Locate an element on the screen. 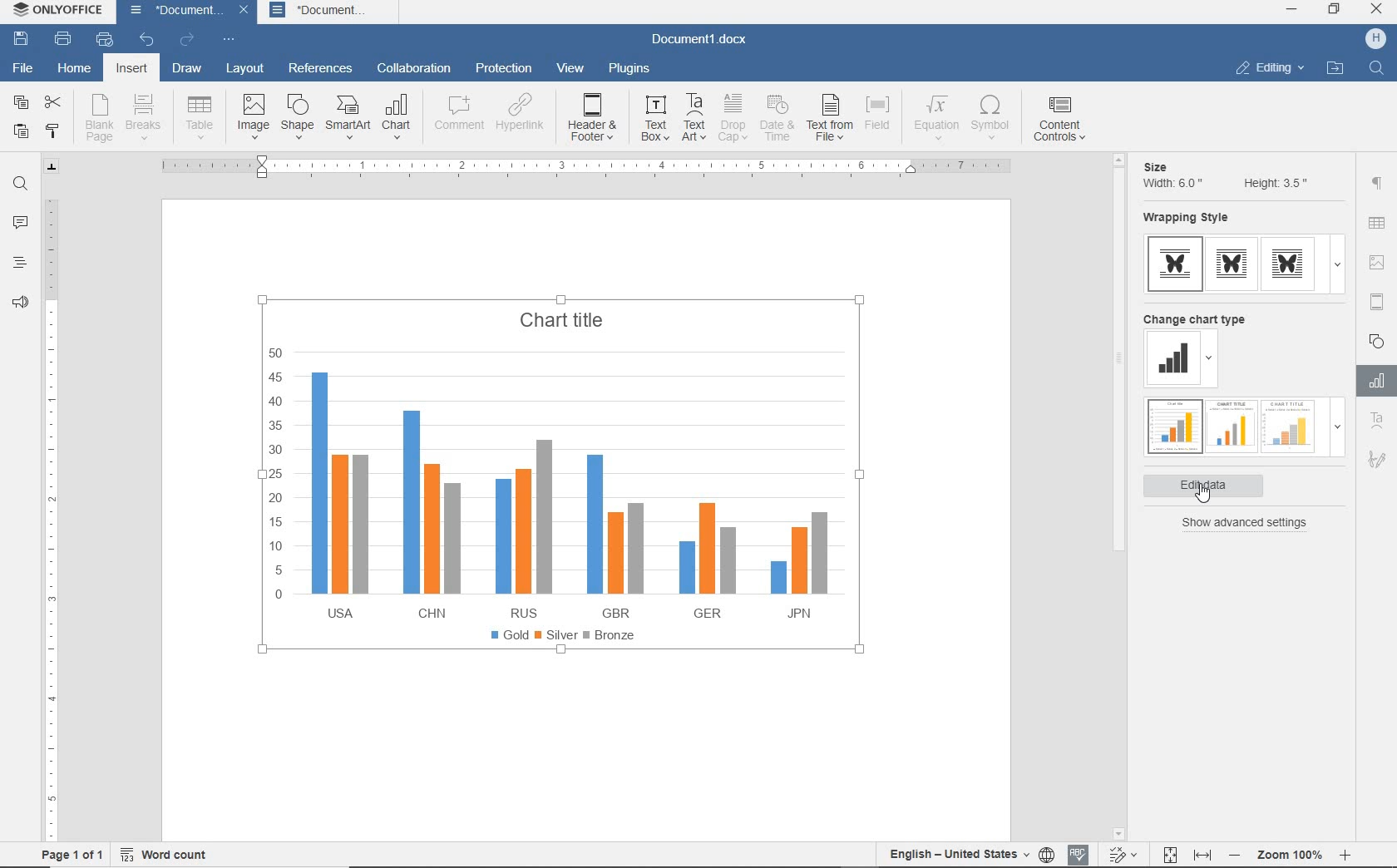  drop cap is located at coordinates (733, 121).